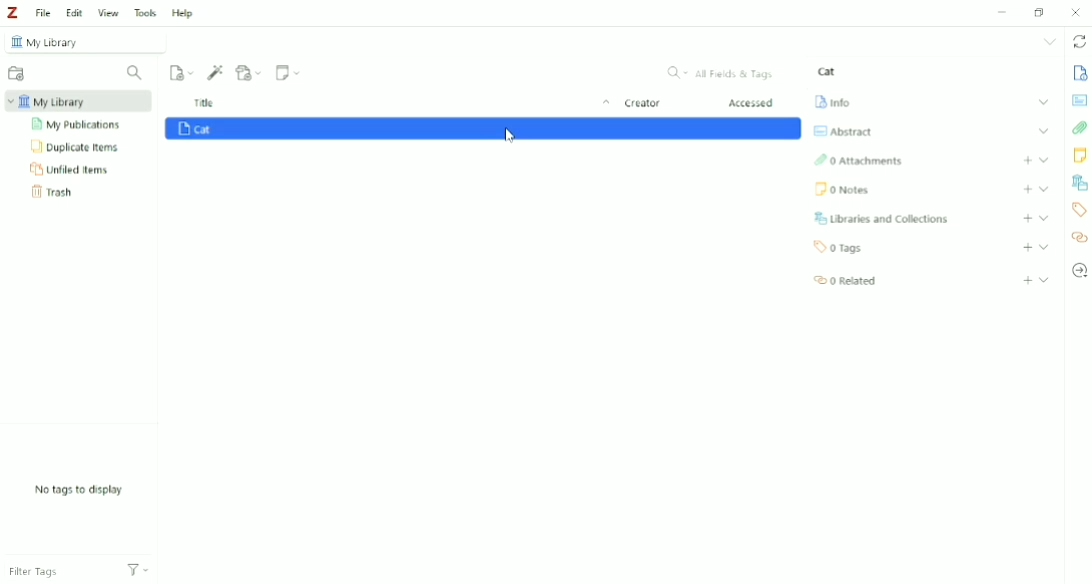 This screenshot has height=584, width=1092. I want to click on New Note, so click(289, 72).